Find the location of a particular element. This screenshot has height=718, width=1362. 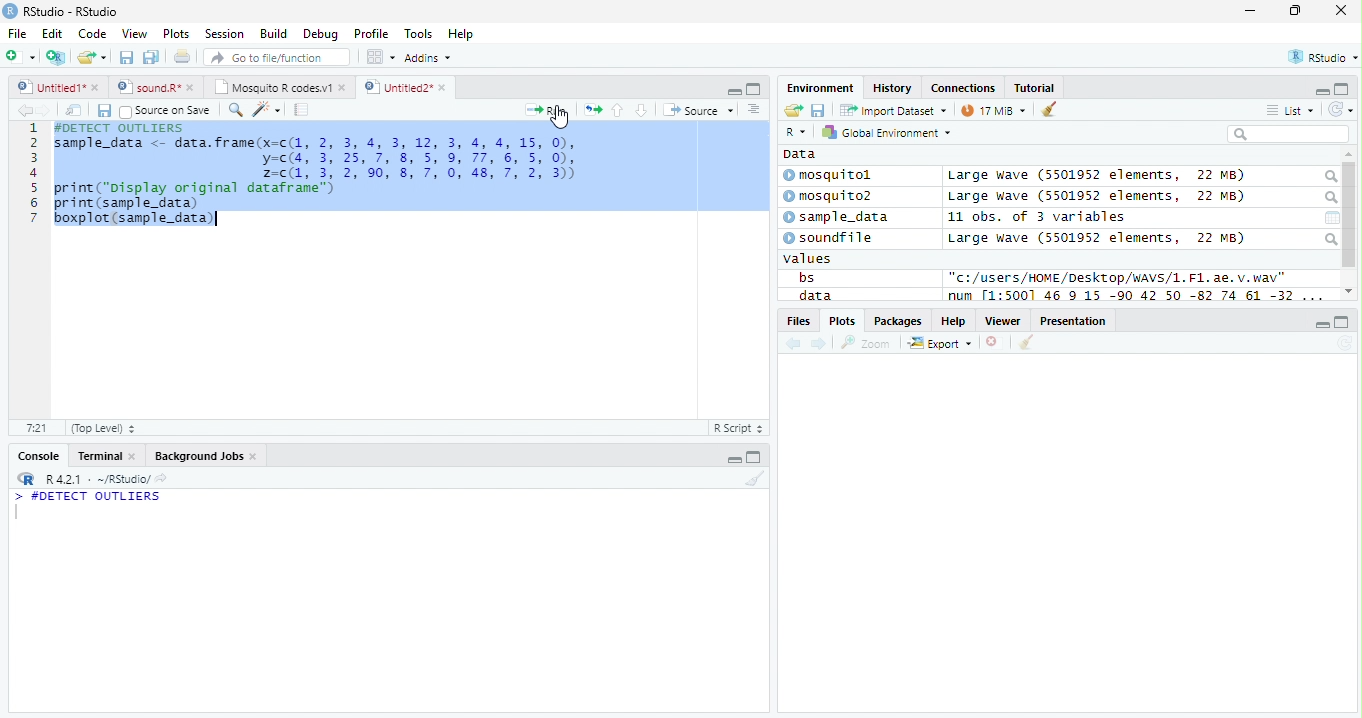

Tools is located at coordinates (418, 35).